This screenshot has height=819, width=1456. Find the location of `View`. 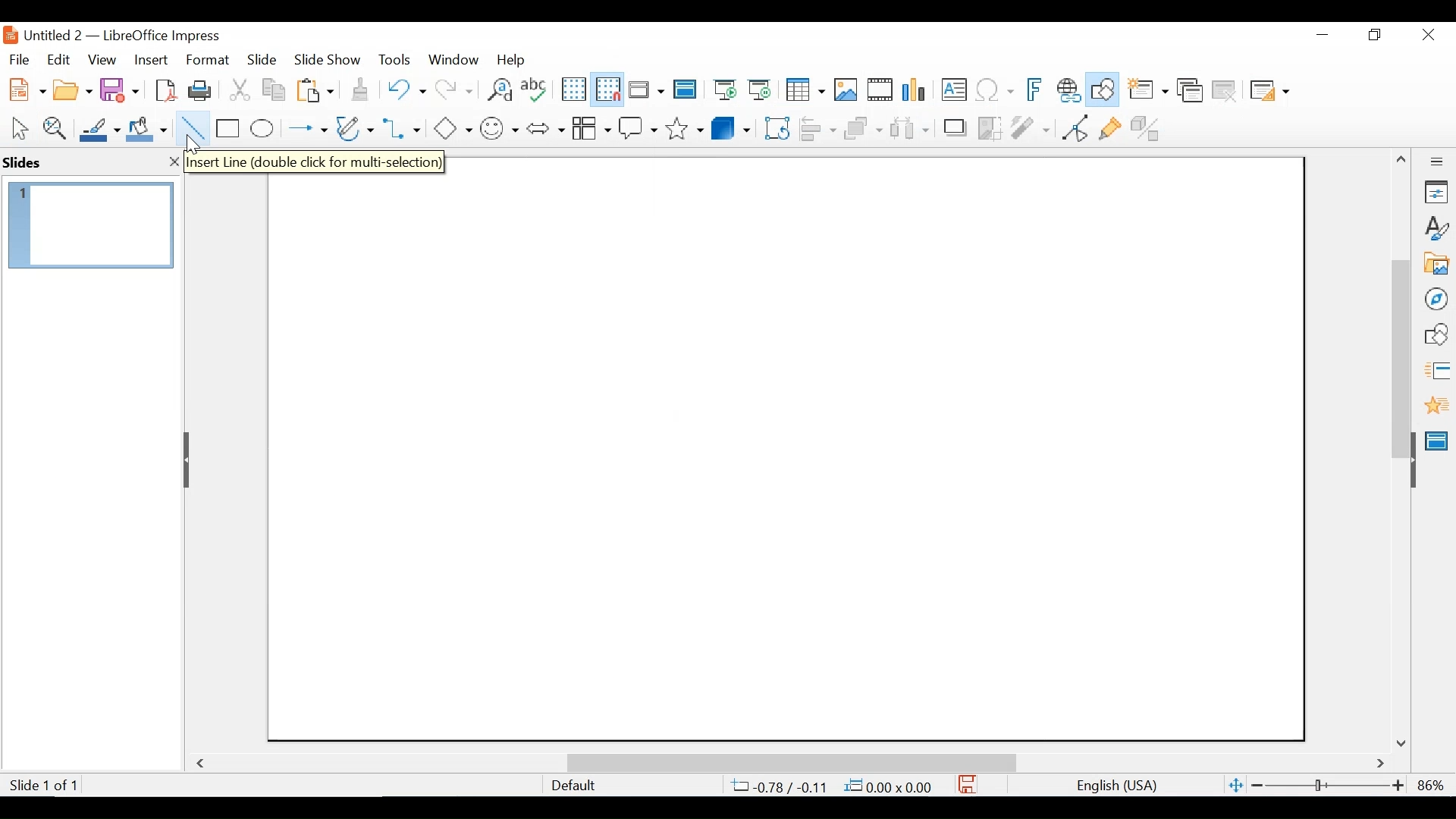

View is located at coordinates (102, 59).